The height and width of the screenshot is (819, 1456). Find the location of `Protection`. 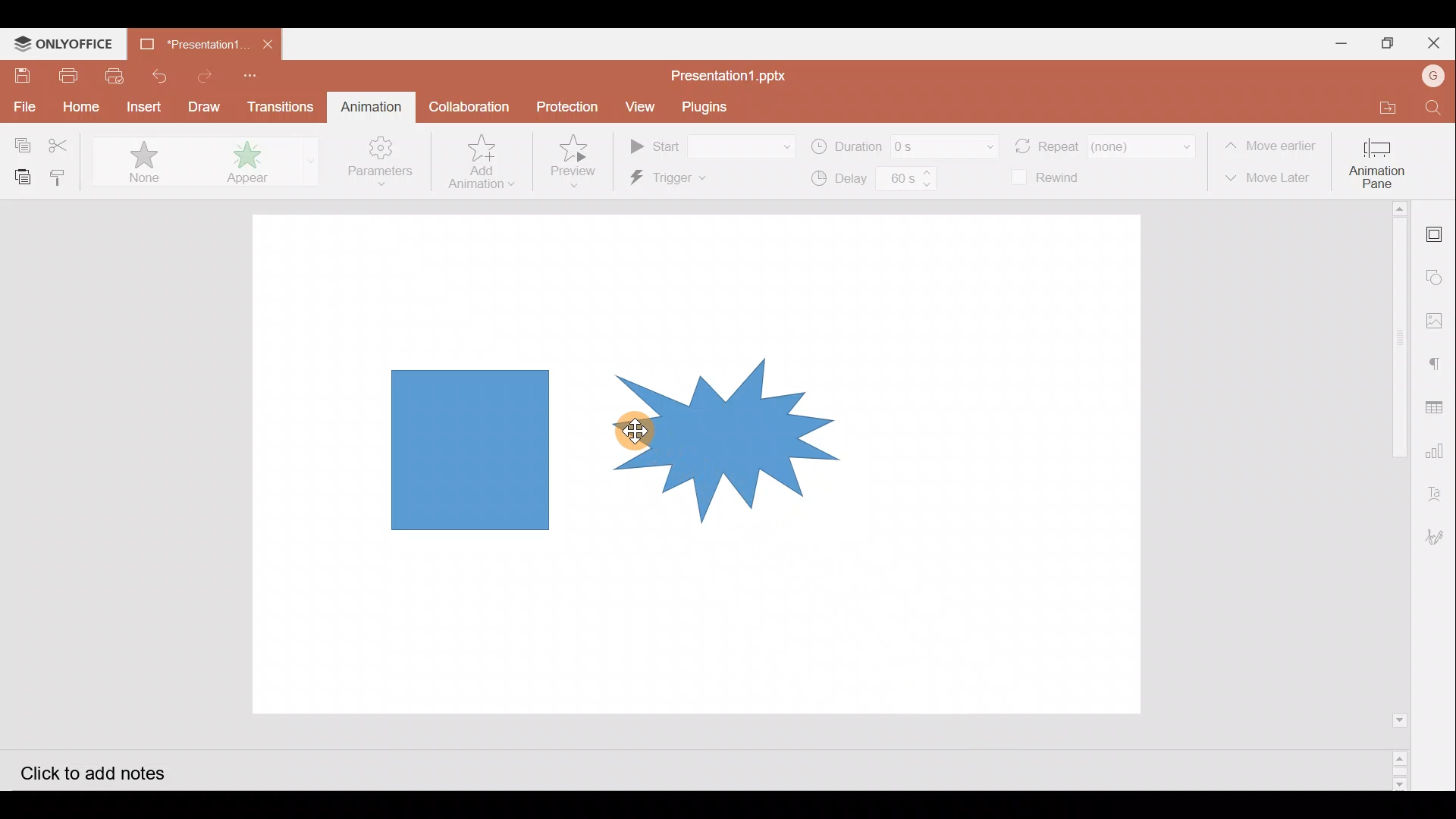

Protection is located at coordinates (569, 108).